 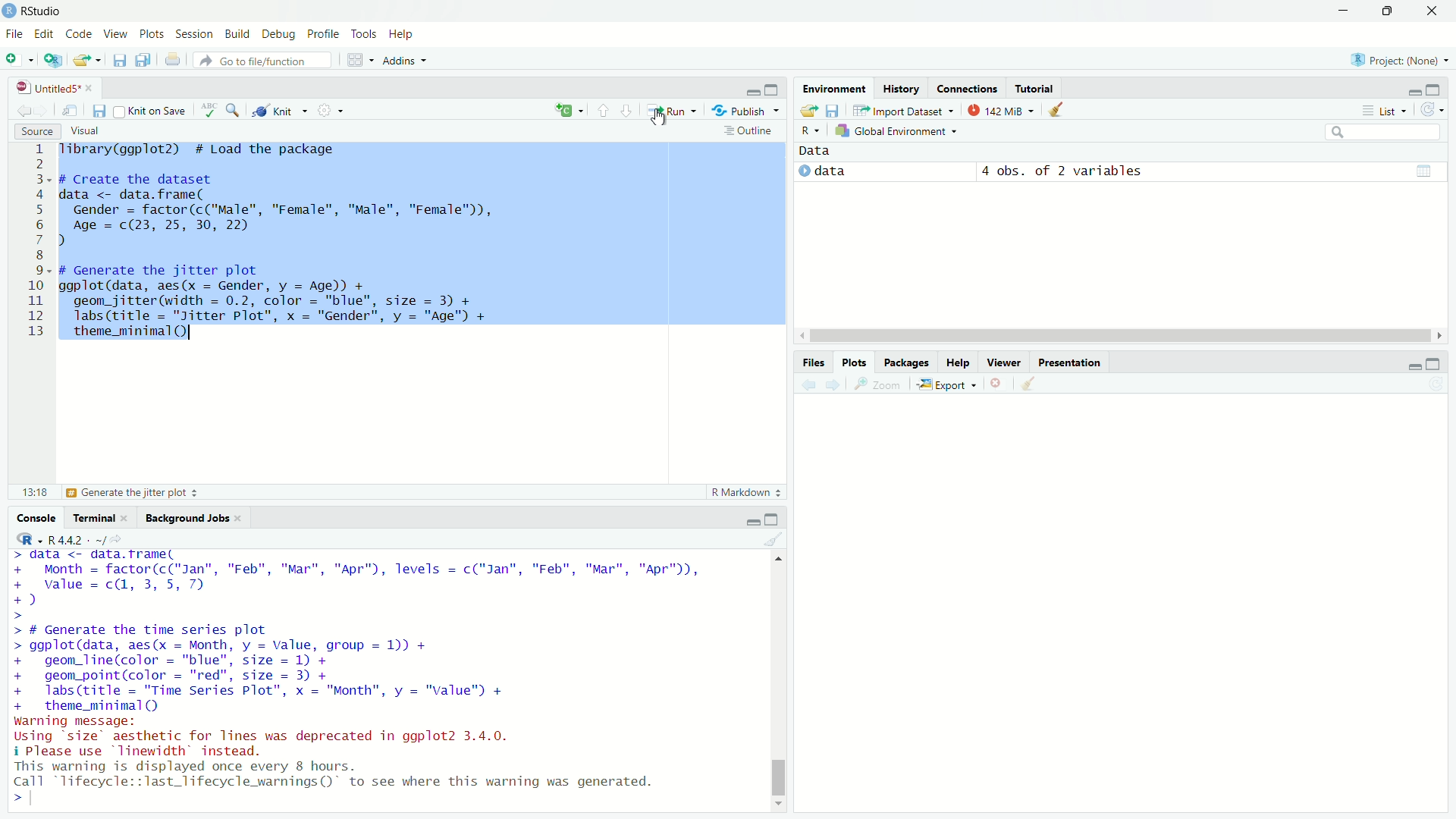 What do you see at coordinates (34, 243) in the screenshot?
I see `serial number` at bounding box center [34, 243].